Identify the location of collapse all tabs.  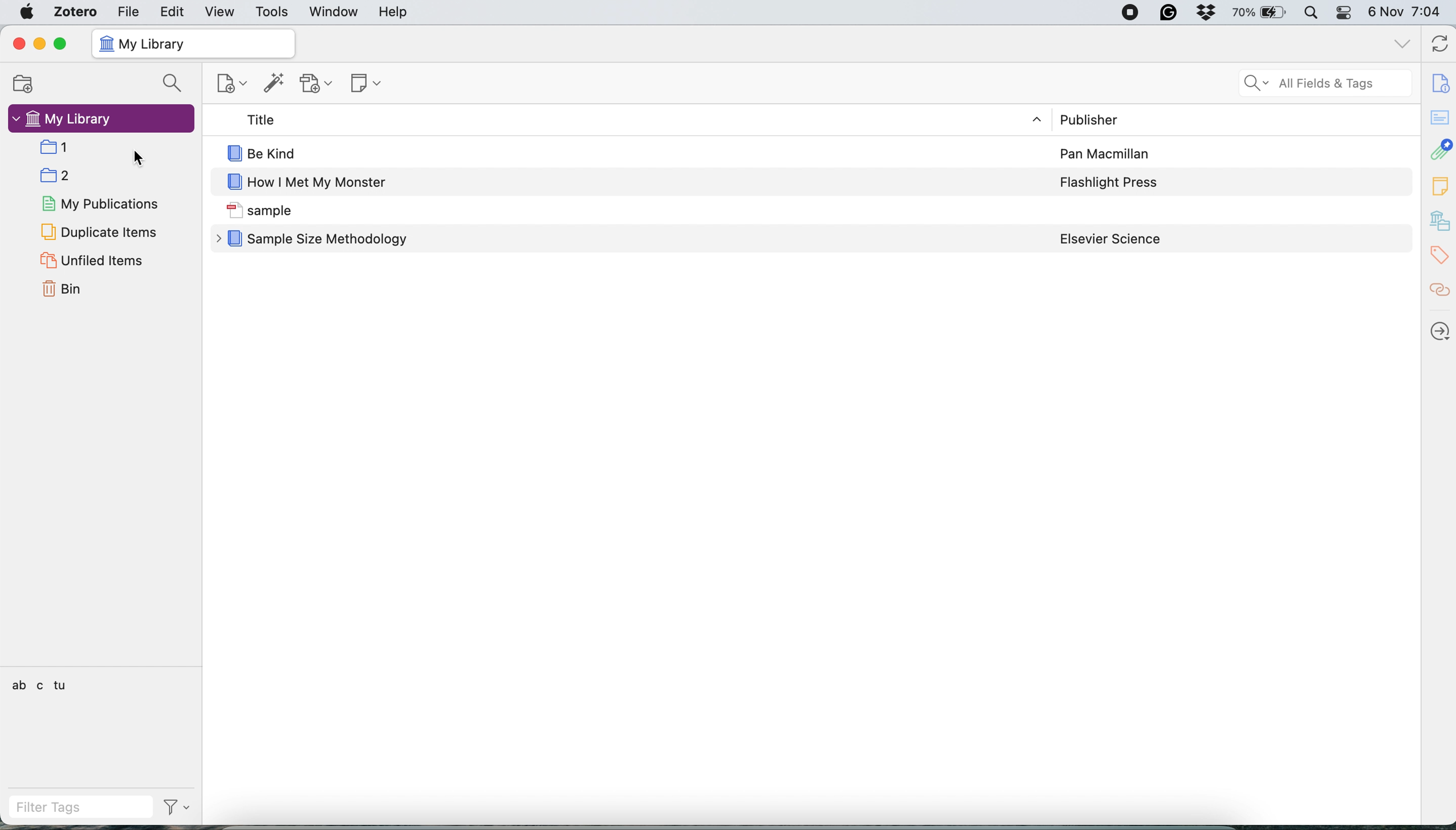
(1402, 42).